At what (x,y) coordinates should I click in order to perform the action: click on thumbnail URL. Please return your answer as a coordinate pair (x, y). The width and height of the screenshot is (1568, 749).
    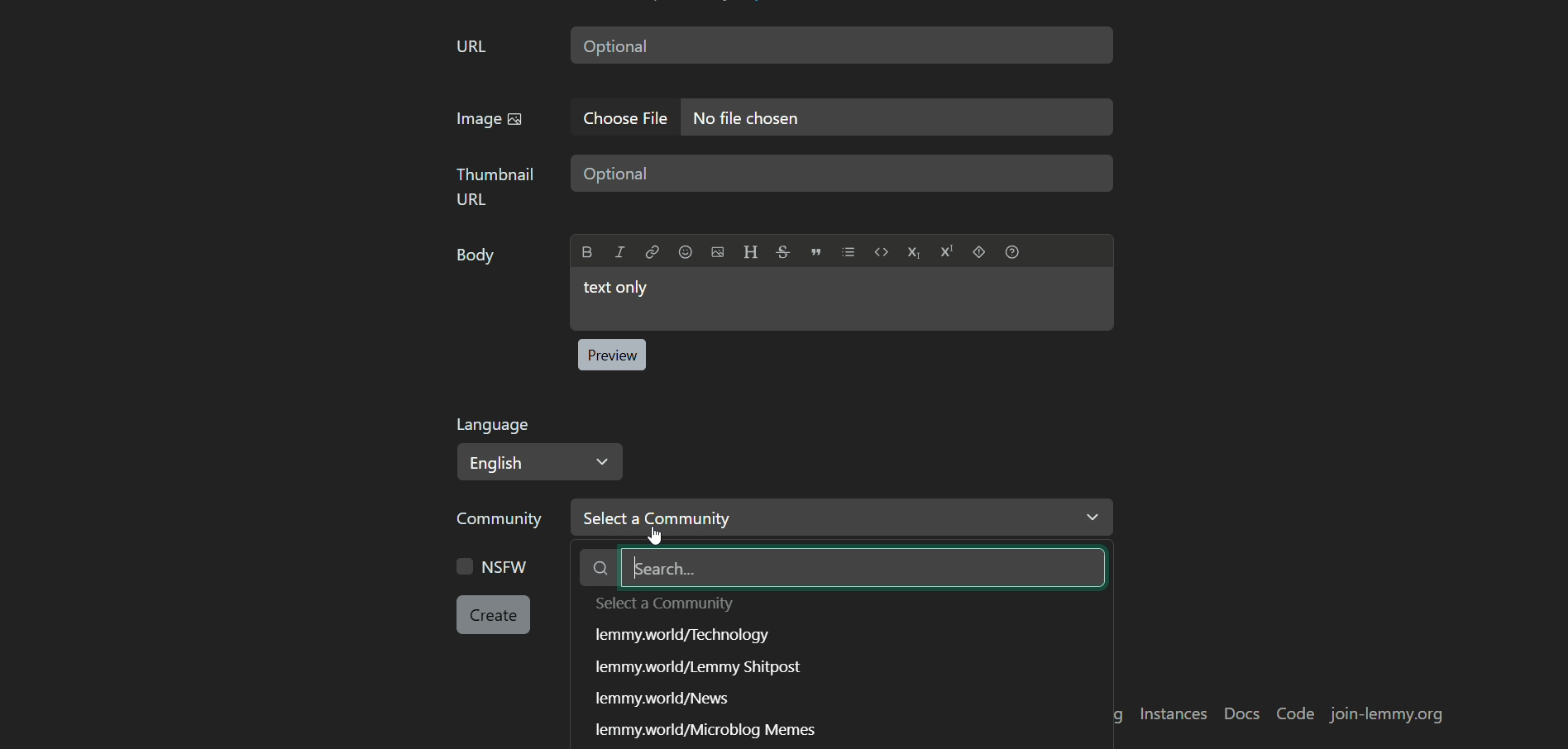
    Looking at the image, I should click on (496, 186).